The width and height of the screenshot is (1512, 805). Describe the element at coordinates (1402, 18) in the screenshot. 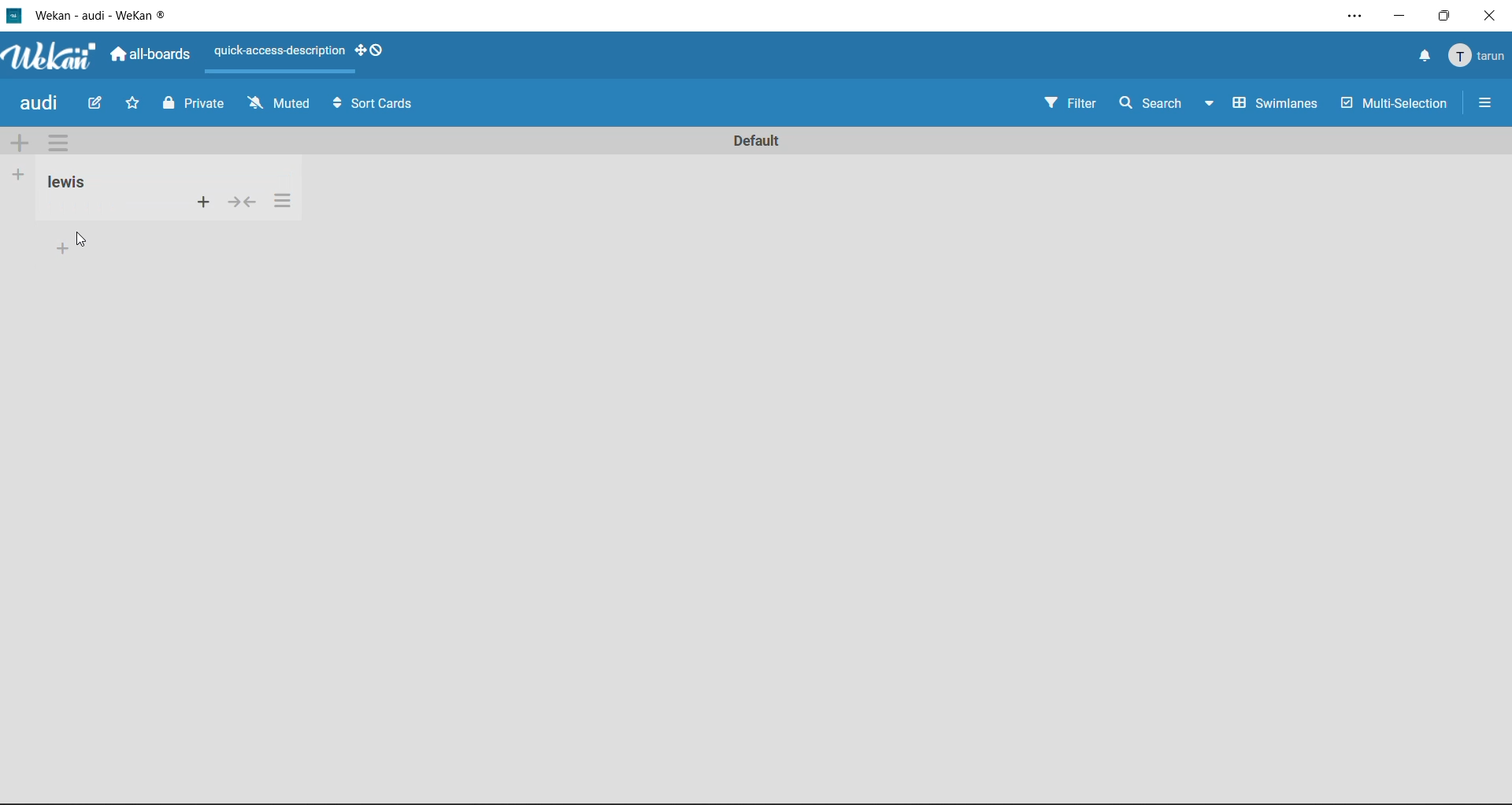

I see `minimize` at that location.